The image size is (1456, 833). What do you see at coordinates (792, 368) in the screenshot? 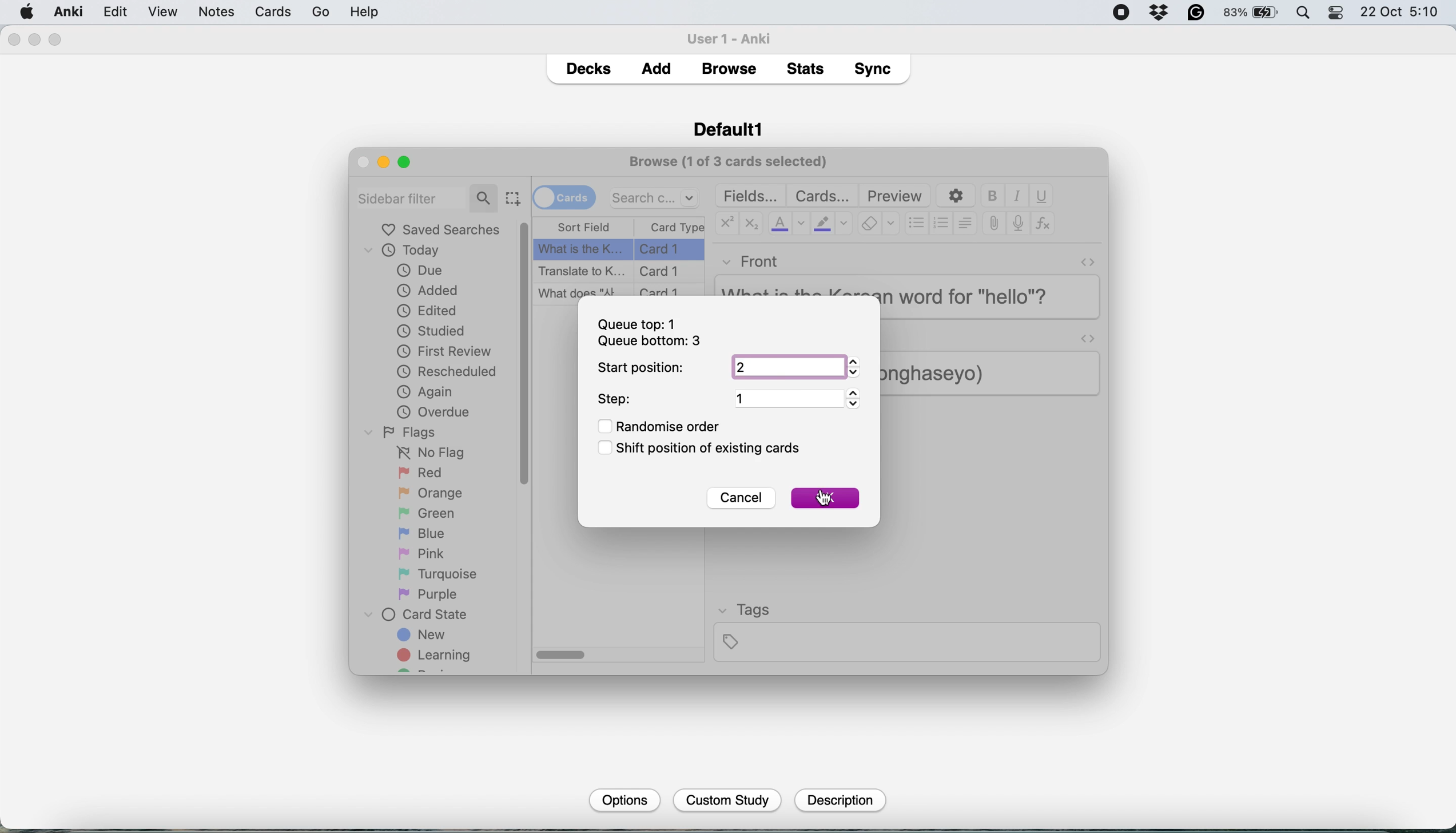
I see `enter new position` at bounding box center [792, 368].